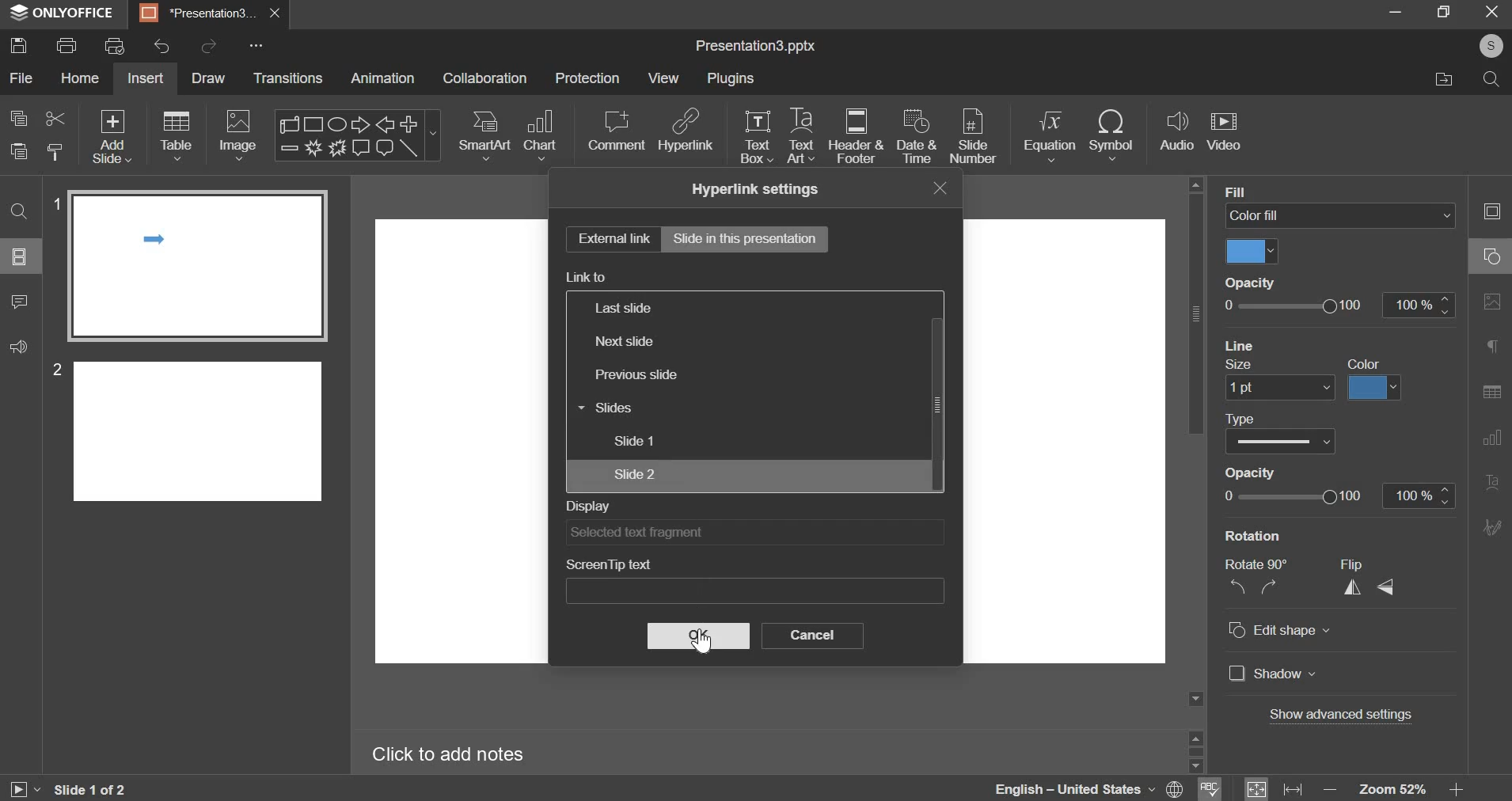 The image size is (1512, 801). Describe the element at coordinates (54, 202) in the screenshot. I see `slide number` at that location.